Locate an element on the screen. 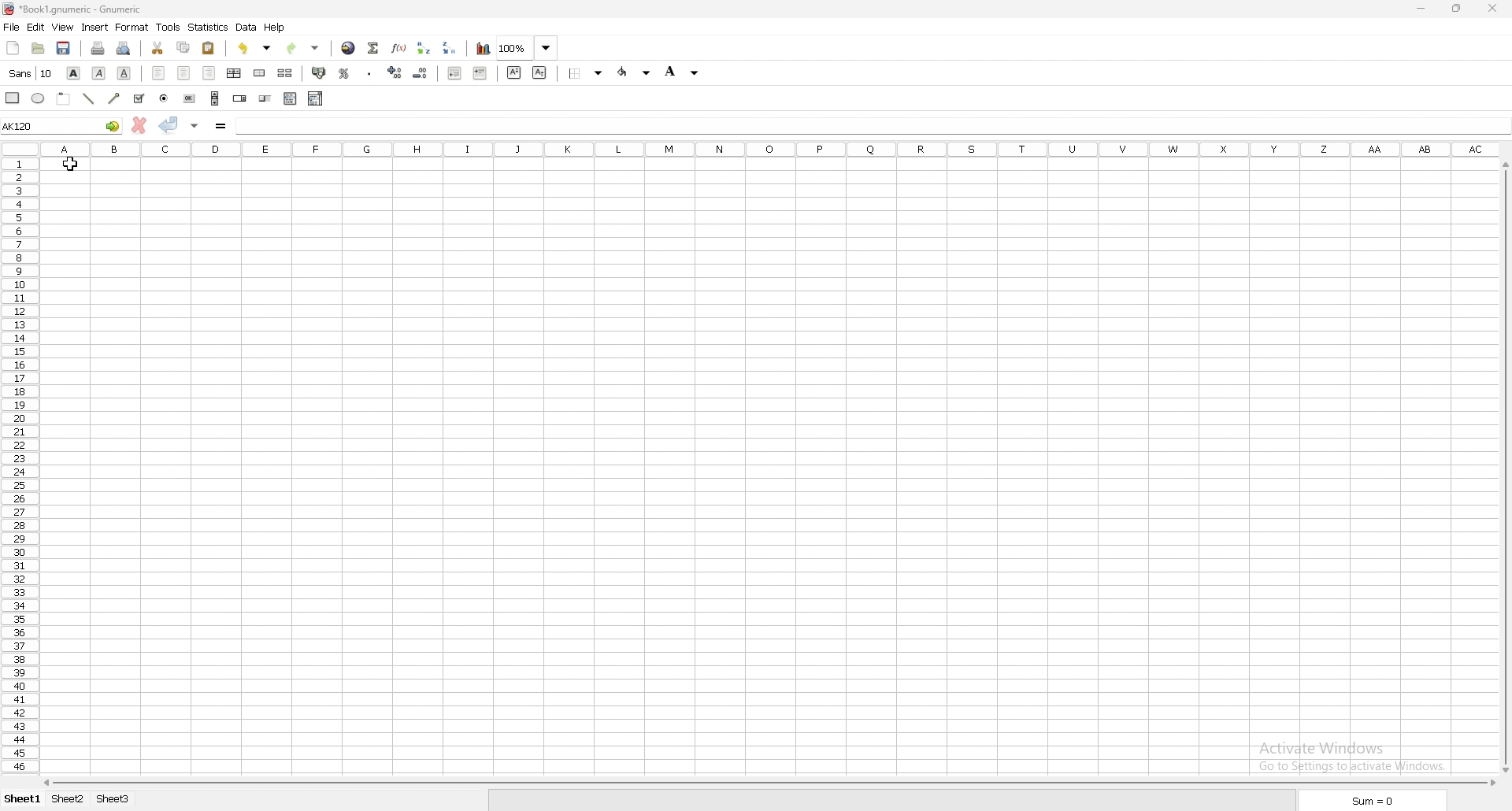 The width and height of the screenshot is (1512, 811). arrowed line is located at coordinates (115, 98).